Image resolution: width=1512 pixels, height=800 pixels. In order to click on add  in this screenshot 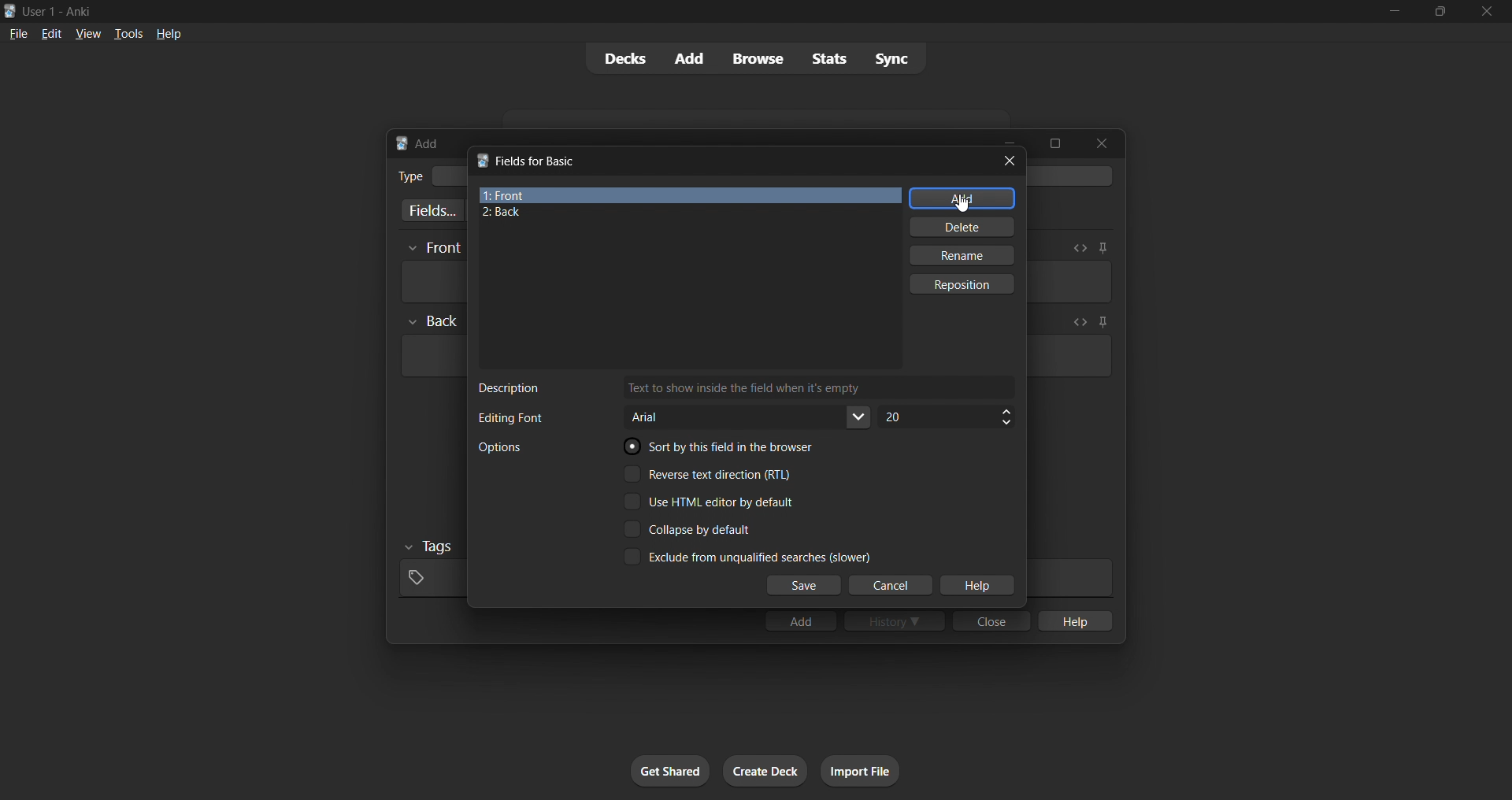, I will do `click(962, 198)`.